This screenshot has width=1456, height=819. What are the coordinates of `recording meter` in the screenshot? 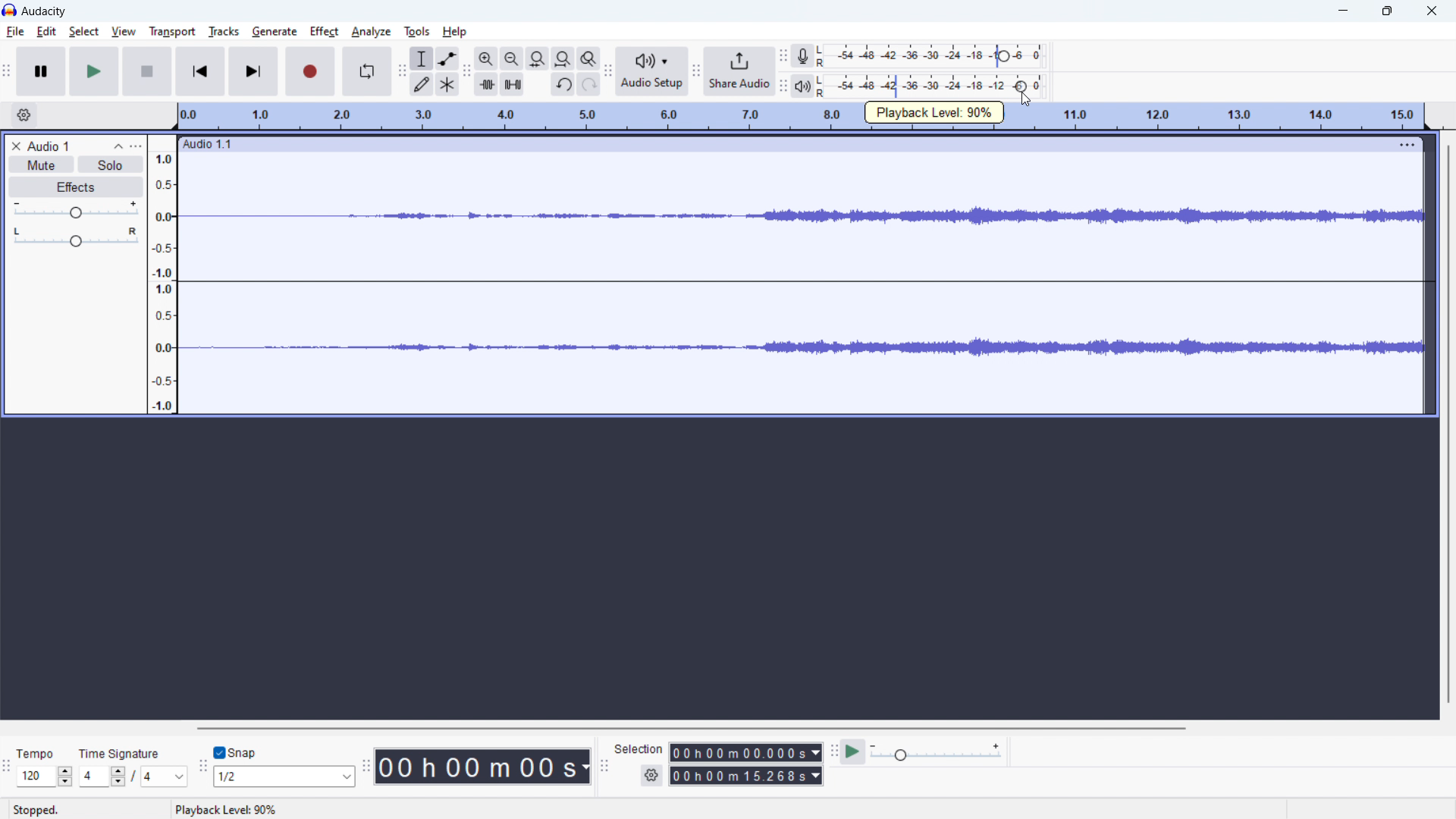 It's located at (783, 56).